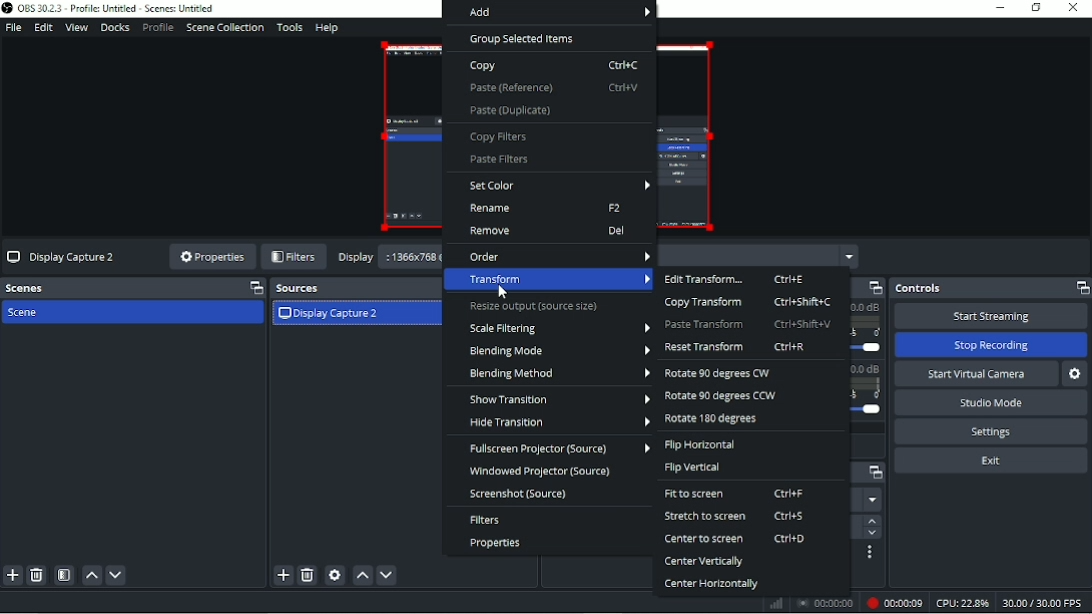 The width and height of the screenshot is (1092, 614). What do you see at coordinates (1044, 603) in the screenshot?
I see `30.00/30.00 FPS` at bounding box center [1044, 603].